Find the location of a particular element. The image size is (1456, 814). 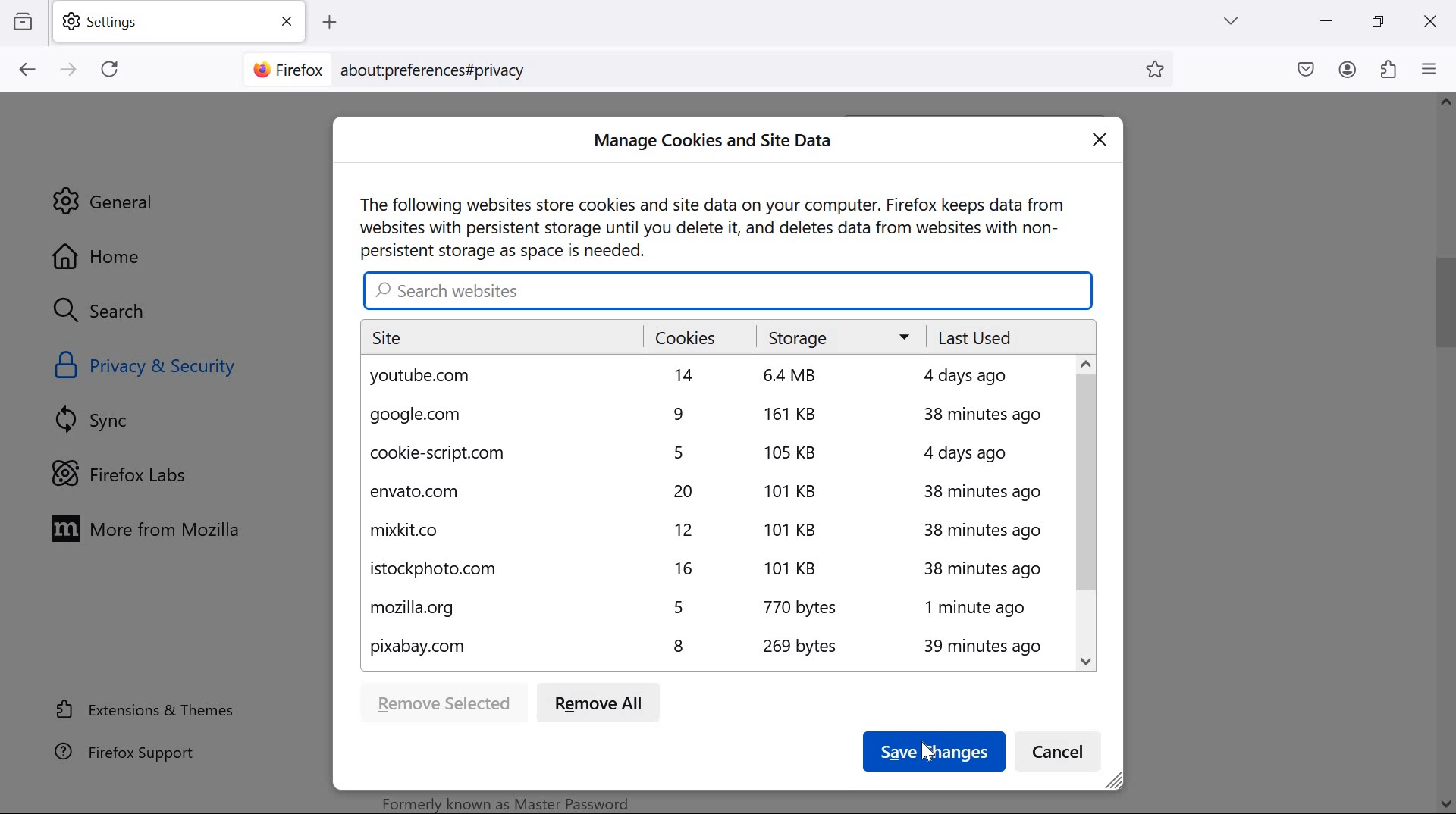

minimize is located at coordinates (1327, 21).